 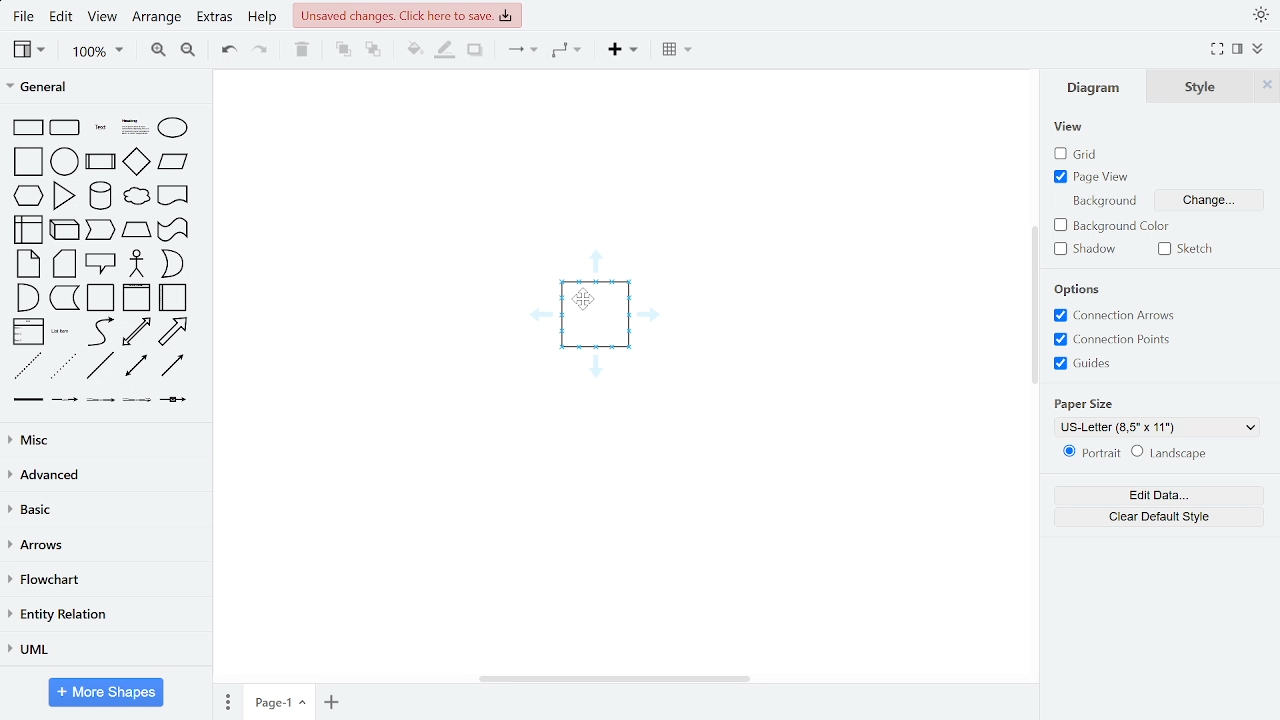 What do you see at coordinates (590, 305) in the screenshot?
I see `cursor` at bounding box center [590, 305].